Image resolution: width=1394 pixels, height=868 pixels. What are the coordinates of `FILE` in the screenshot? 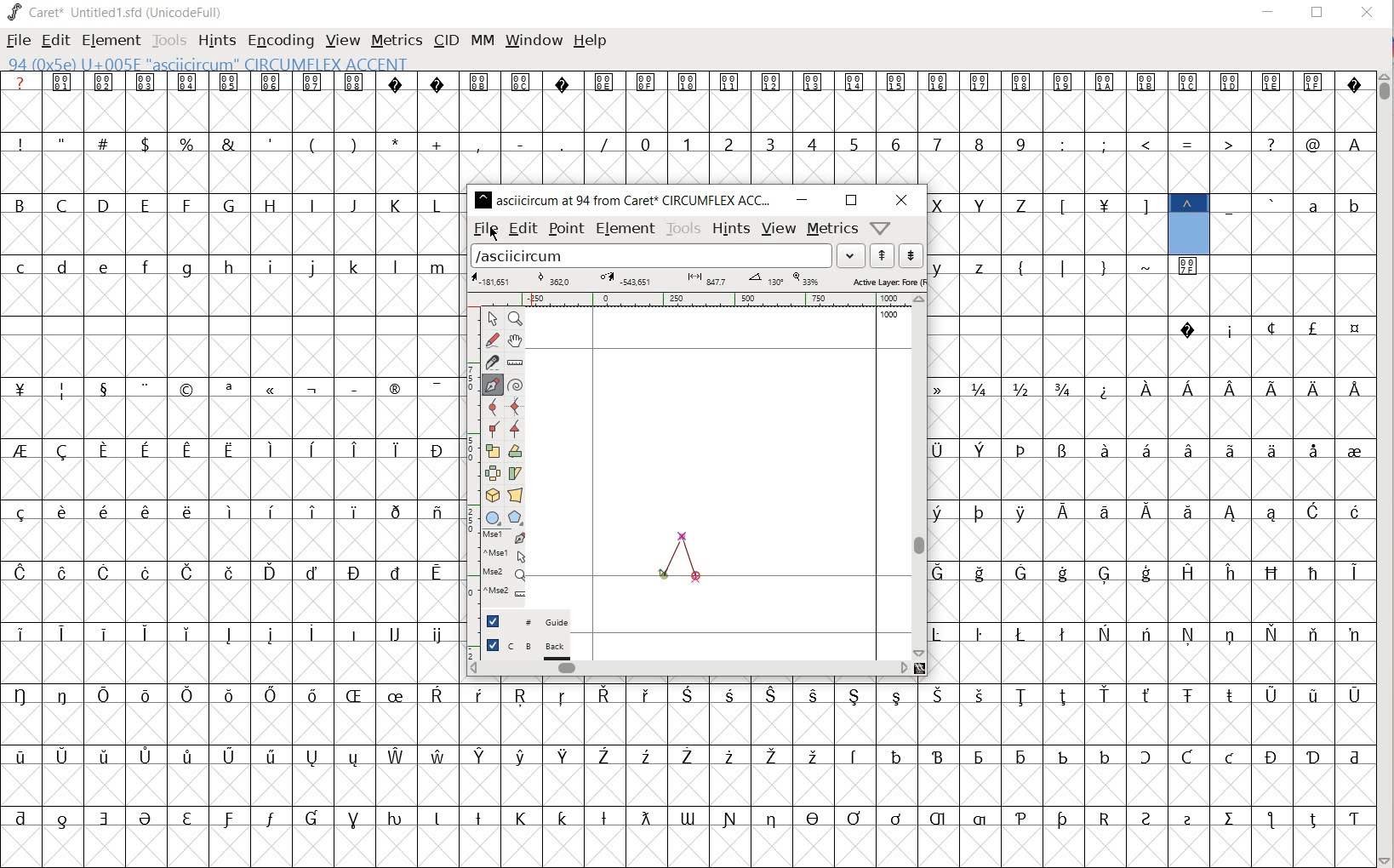 It's located at (17, 42).